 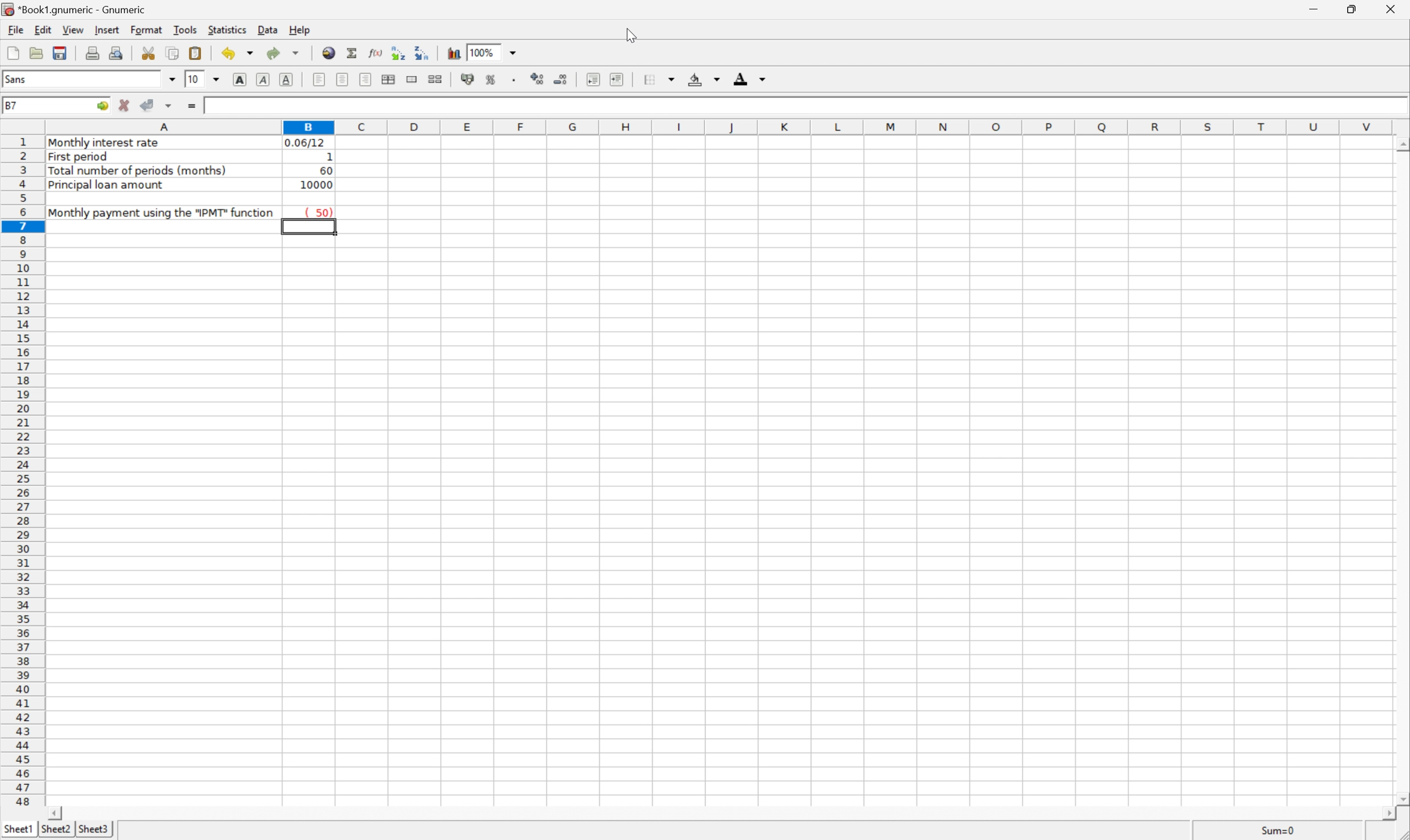 I want to click on Insert, so click(x=109, y=30).